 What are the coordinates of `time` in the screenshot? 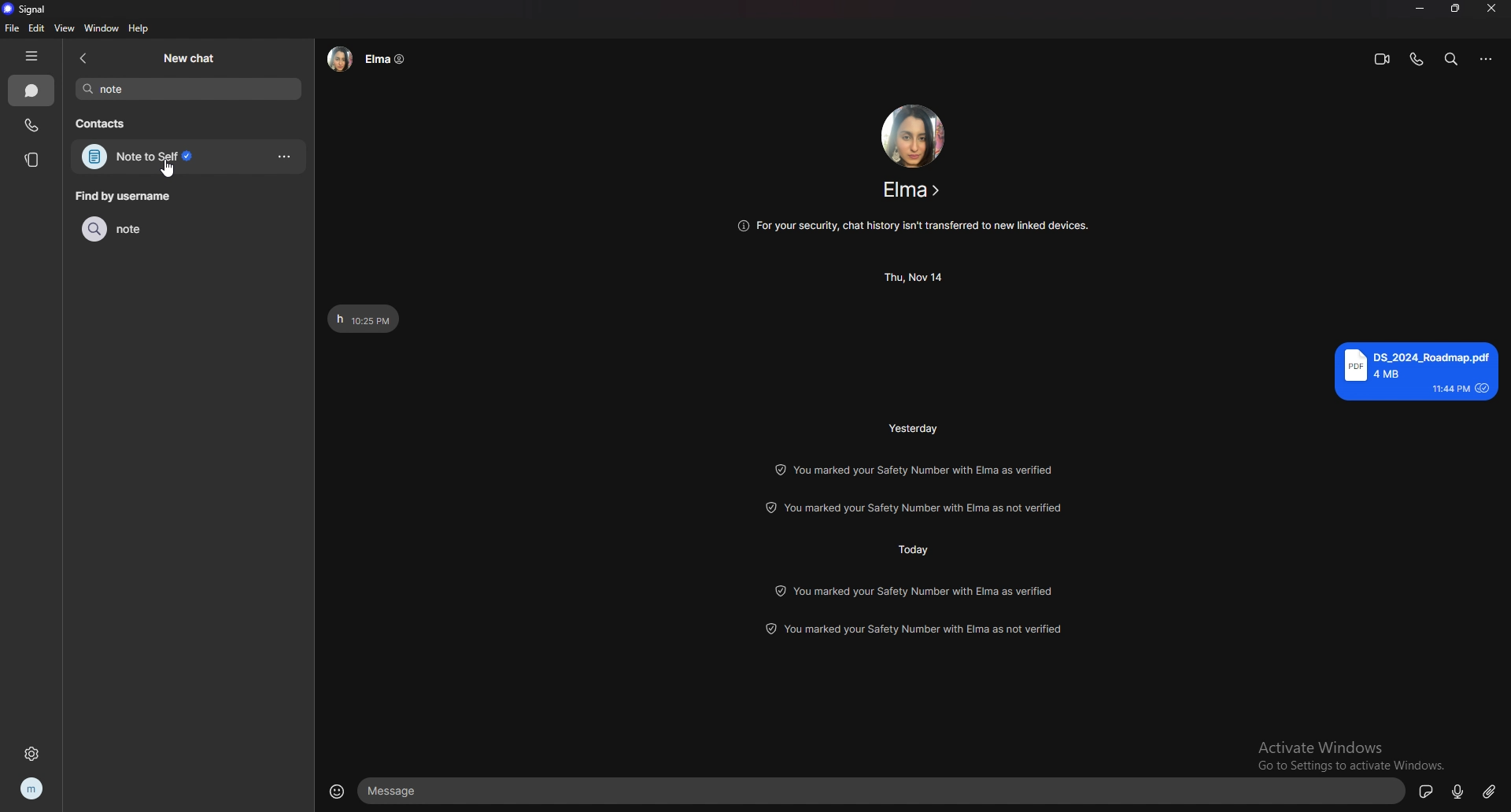 It's located at (912, 548).